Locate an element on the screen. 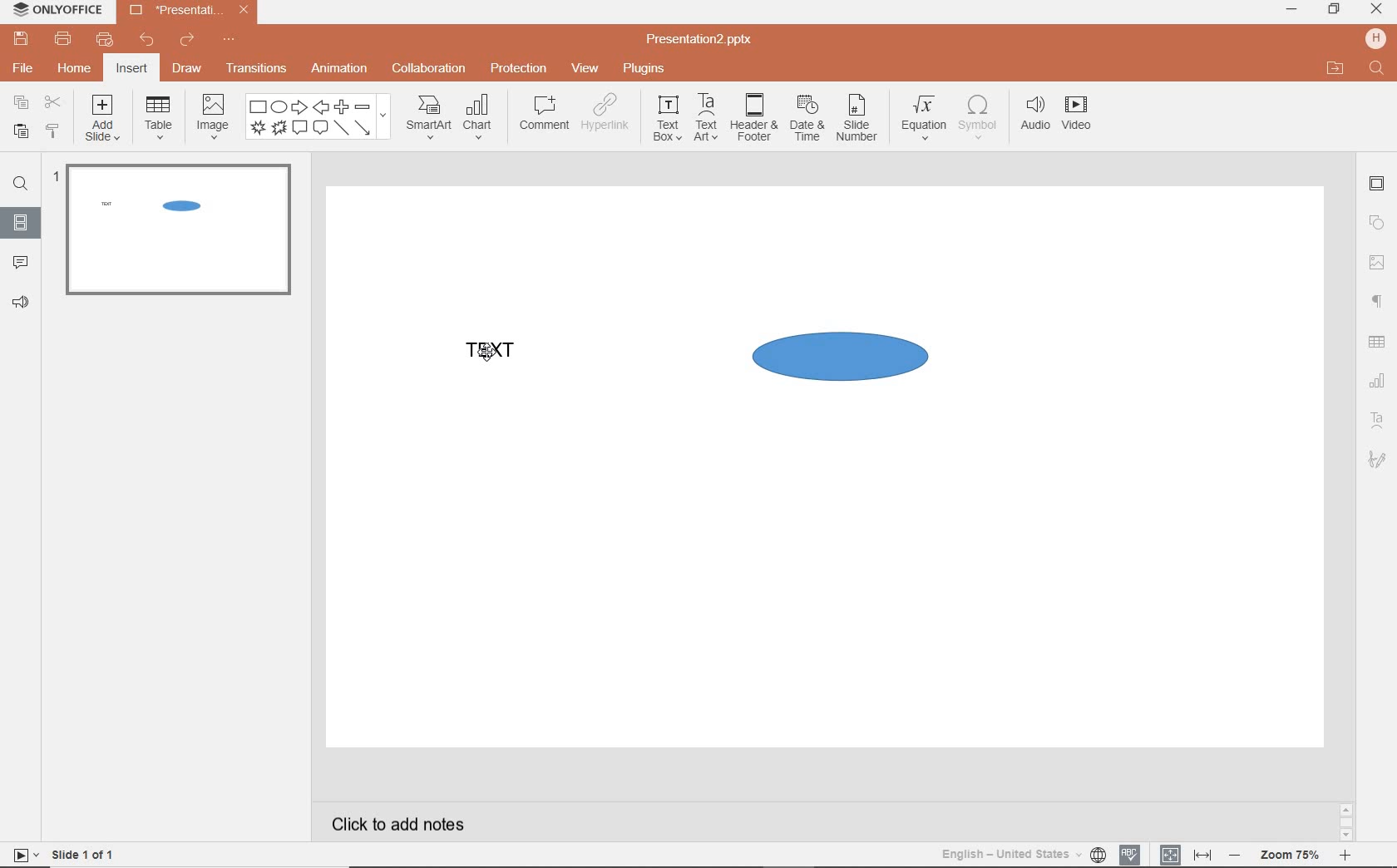 Image resolution: width=1397 pixels, height=868 pixels. copy is located at coordinates (21, 102).